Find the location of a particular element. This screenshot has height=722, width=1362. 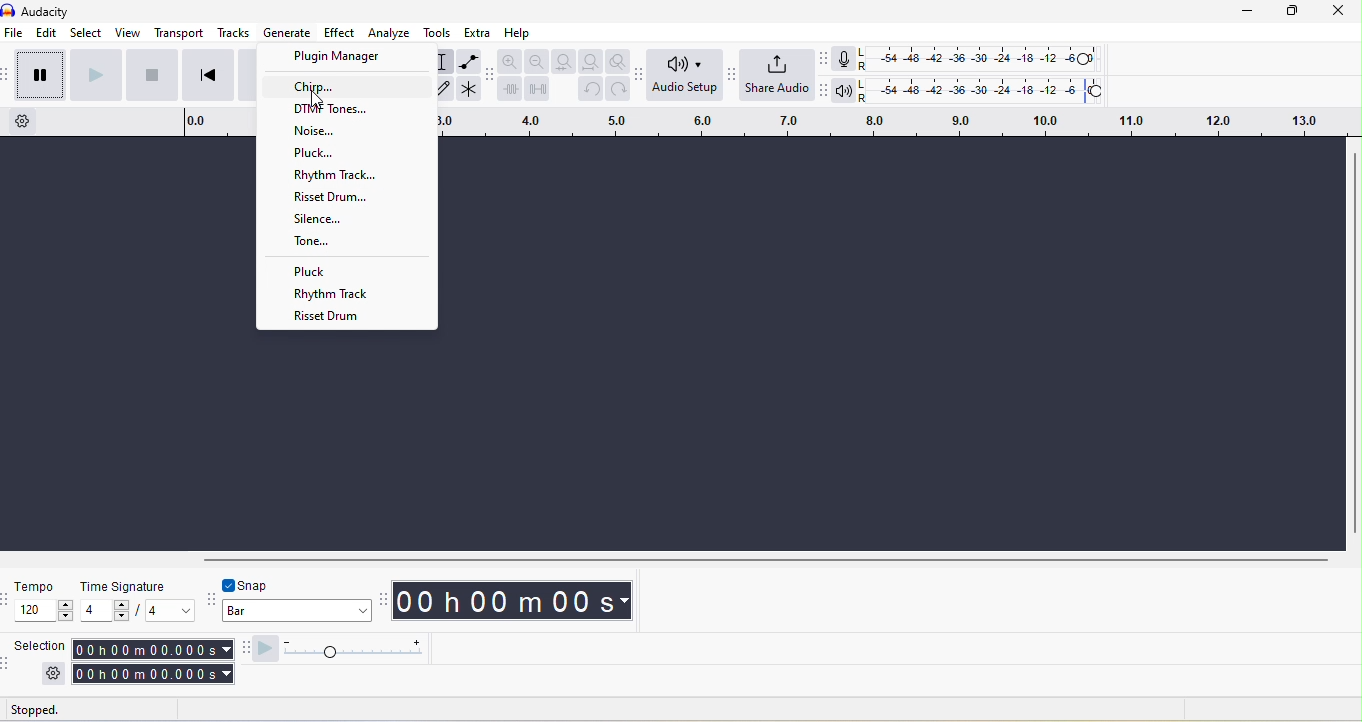

stop is located at coordinates (153, 76).